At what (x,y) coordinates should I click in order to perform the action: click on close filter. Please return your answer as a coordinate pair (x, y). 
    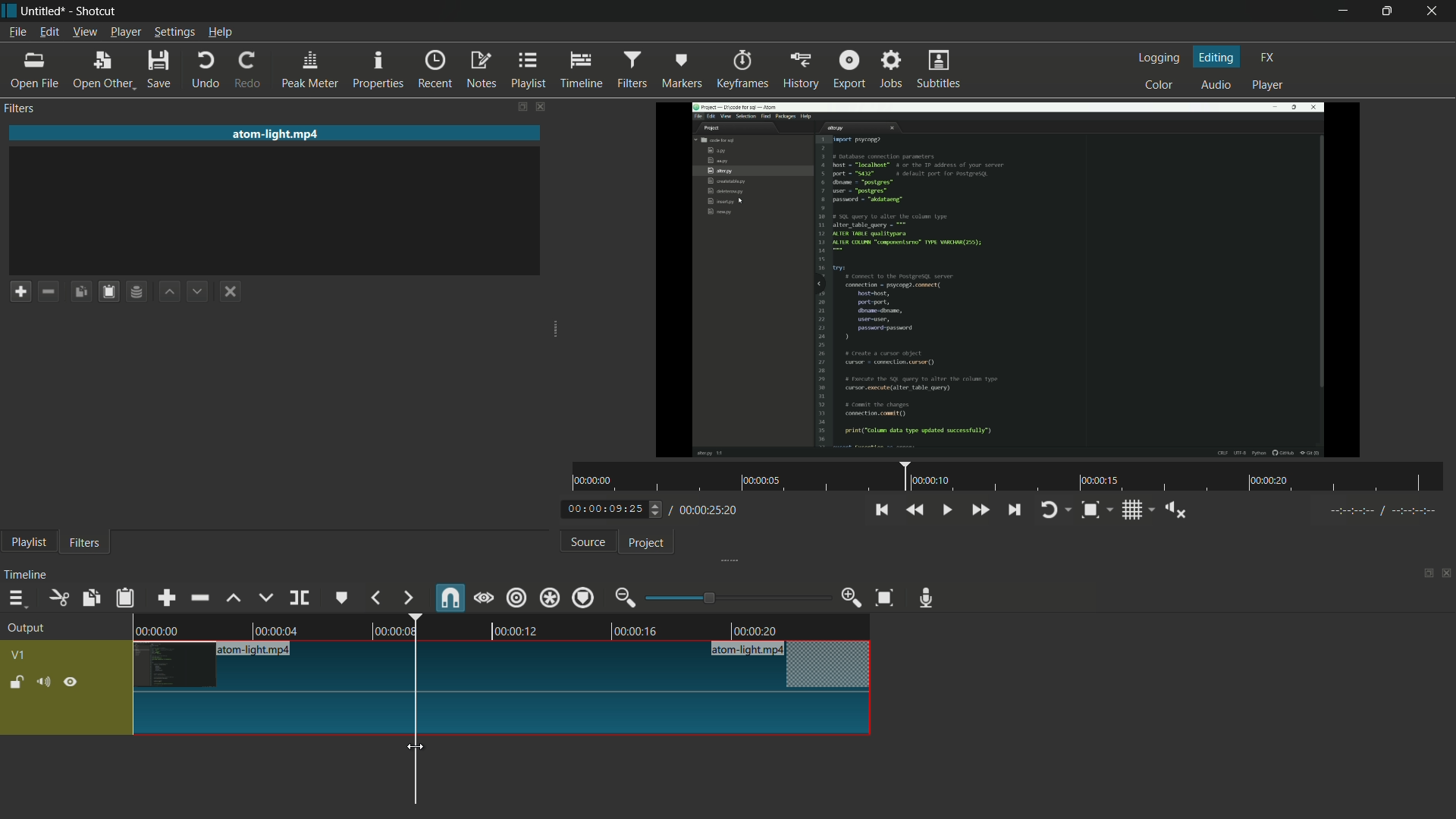
    Looking at the image, I should click on (539, 105).